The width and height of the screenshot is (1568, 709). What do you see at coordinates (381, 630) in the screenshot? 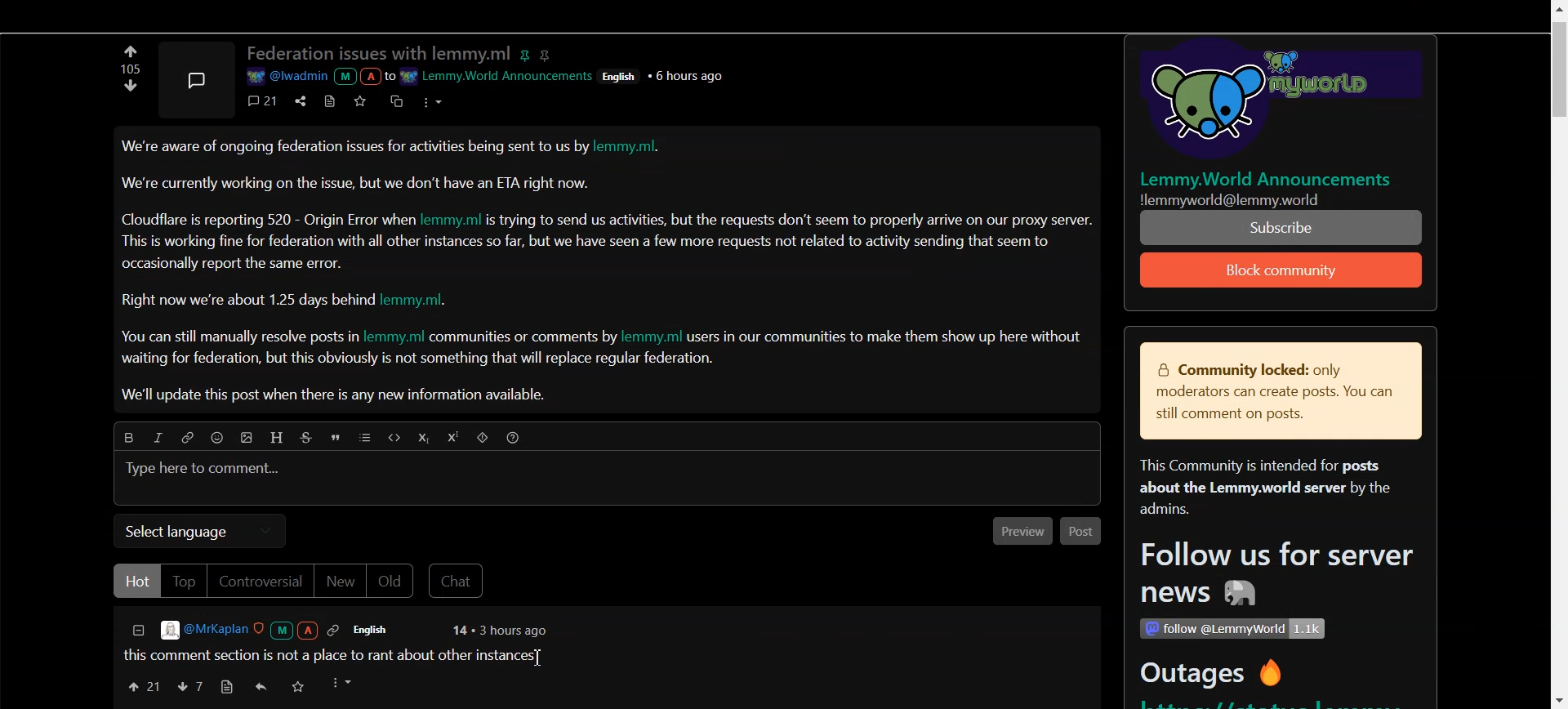
I see `English` at bounding box center [381, 630].